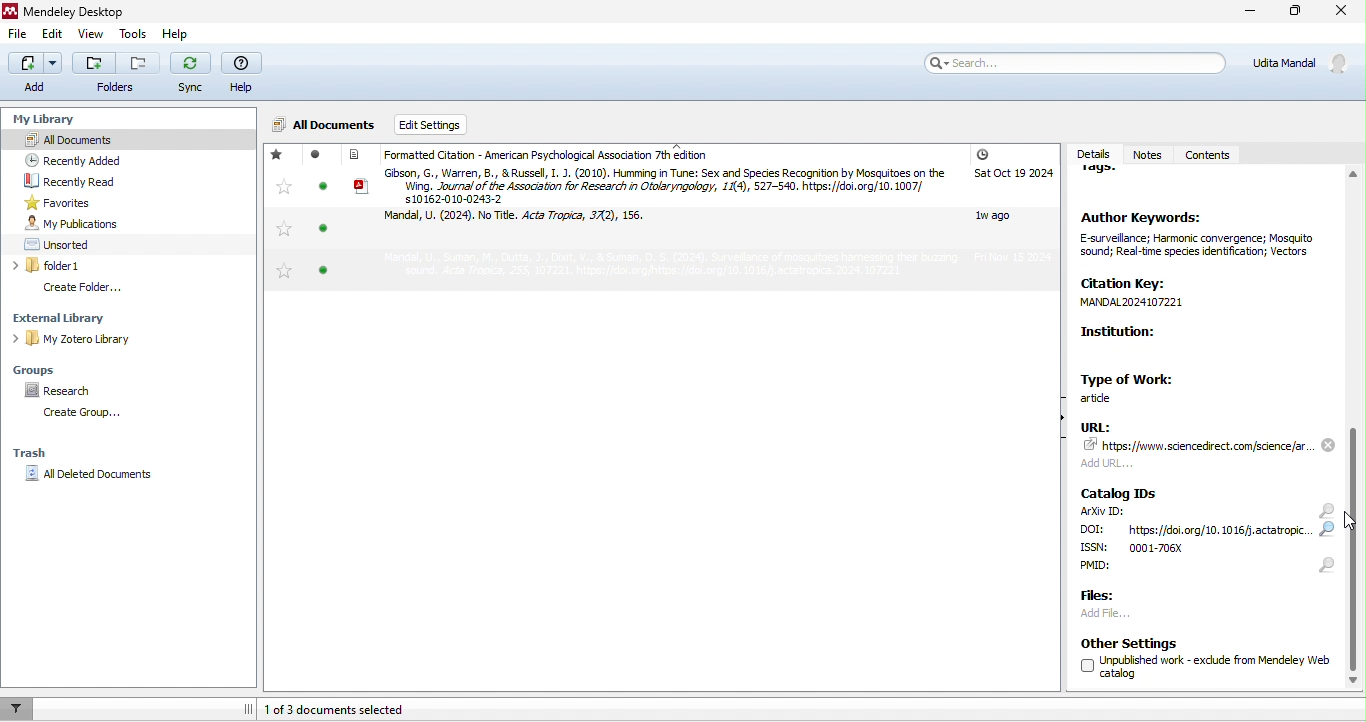  Describe the element at coordinates (1291, 14) in the screenshot. I see `maximize` at that location.